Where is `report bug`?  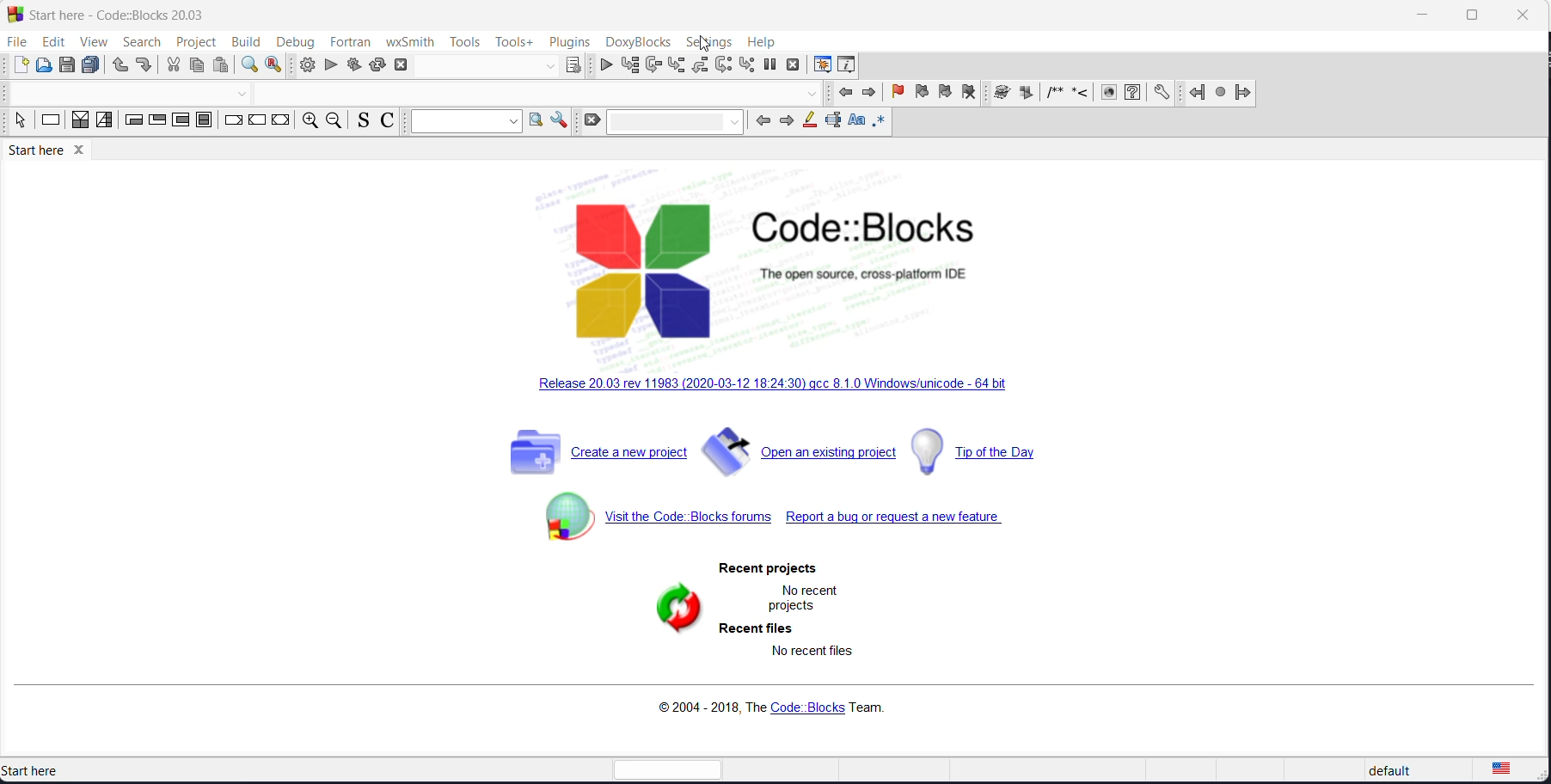 report bug is located at coordinates (923, 520).